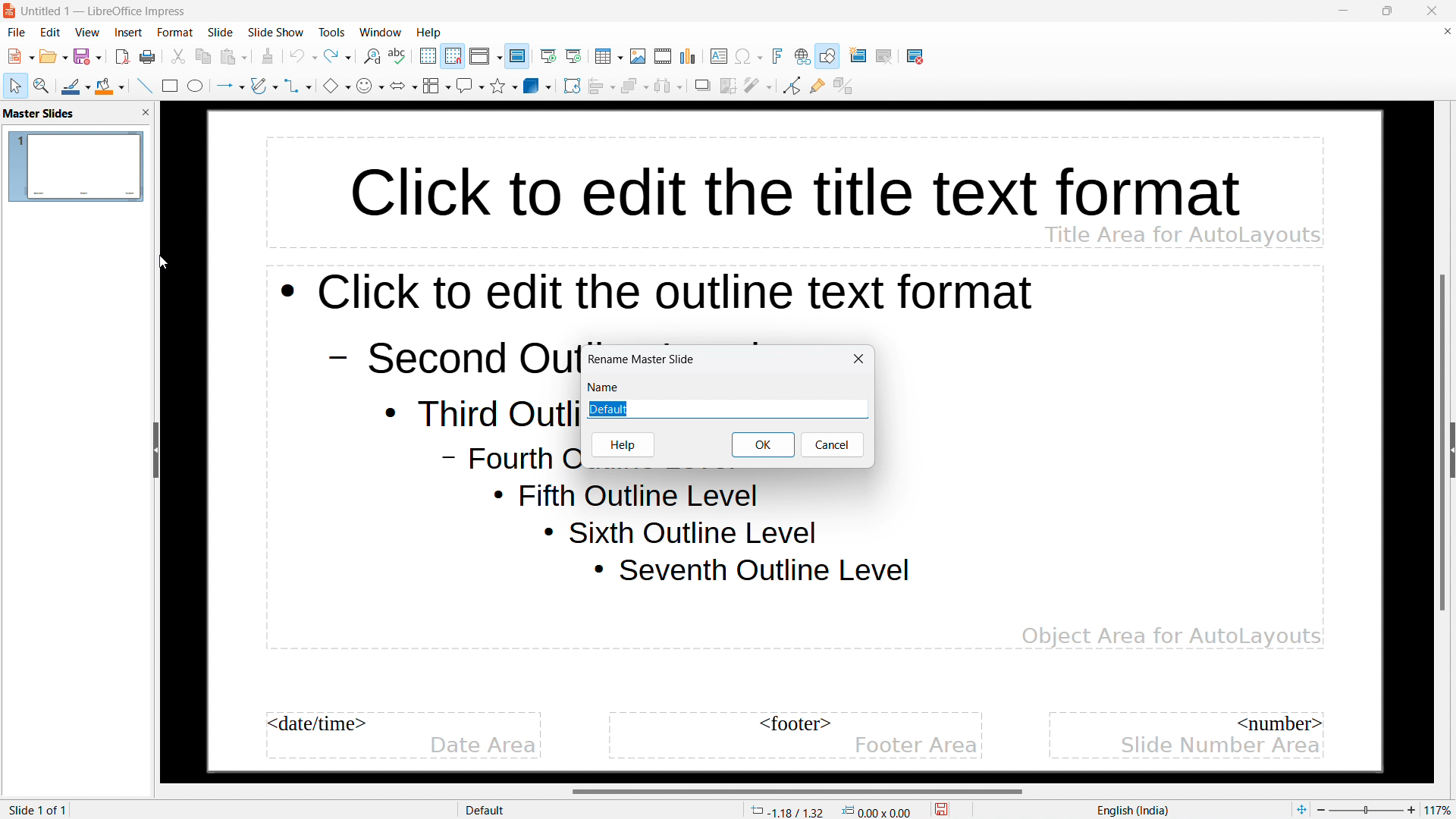  What do you see at coordinates (144, 85) in the screenshot?
I see `insert line` at bounding box center [144, 85].